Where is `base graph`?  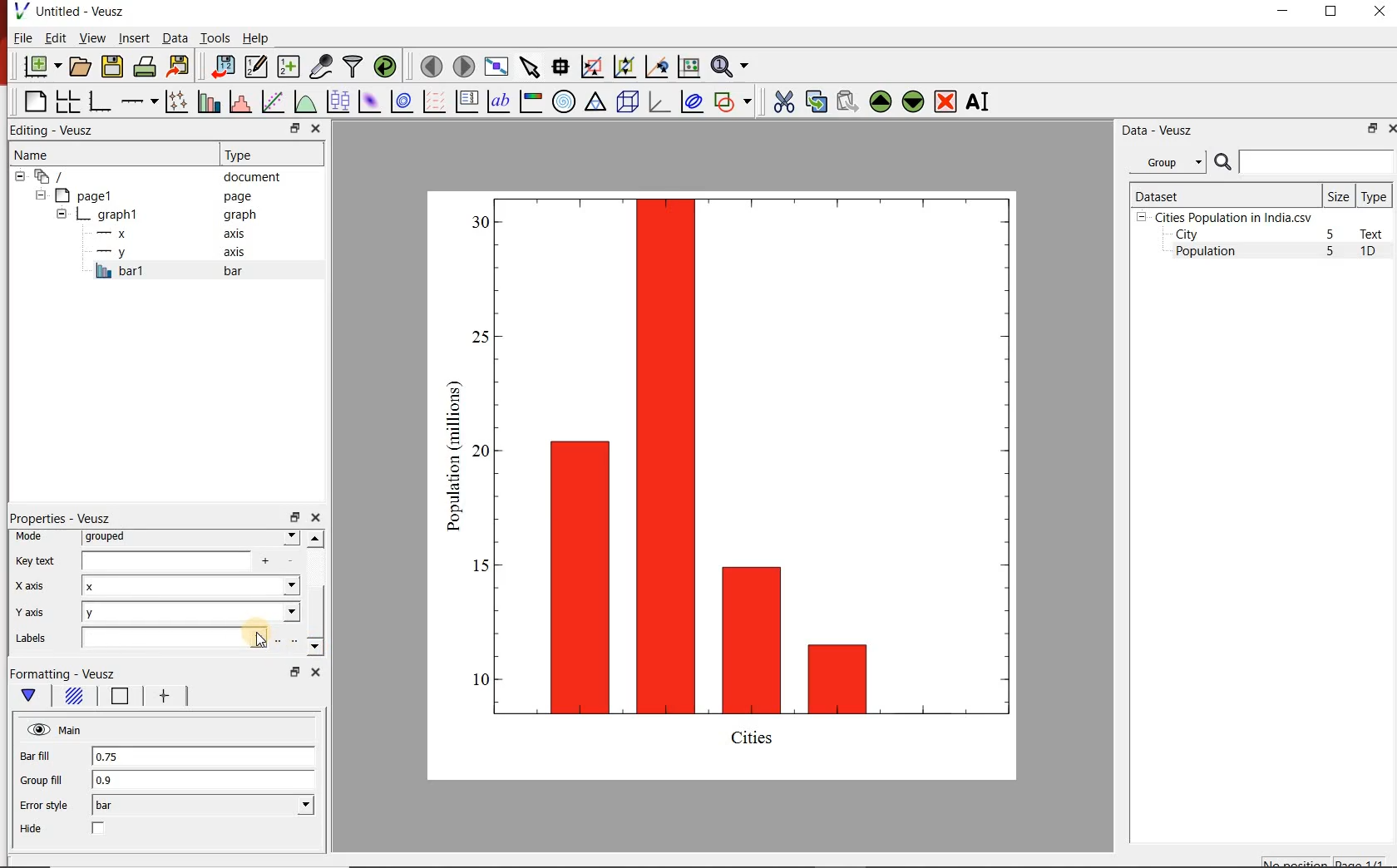 base graph is located at coordinates (98, 101).